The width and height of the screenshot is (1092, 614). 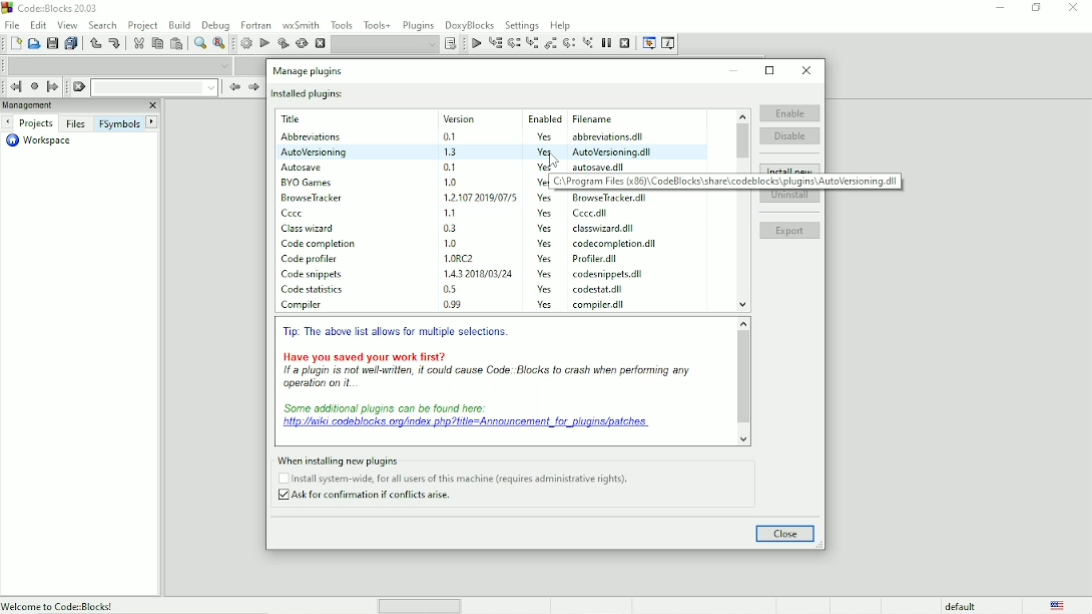 What do you see at coordinates (180, 23) in the screenshot?
I see `Build` at bounding box center [180, 23].